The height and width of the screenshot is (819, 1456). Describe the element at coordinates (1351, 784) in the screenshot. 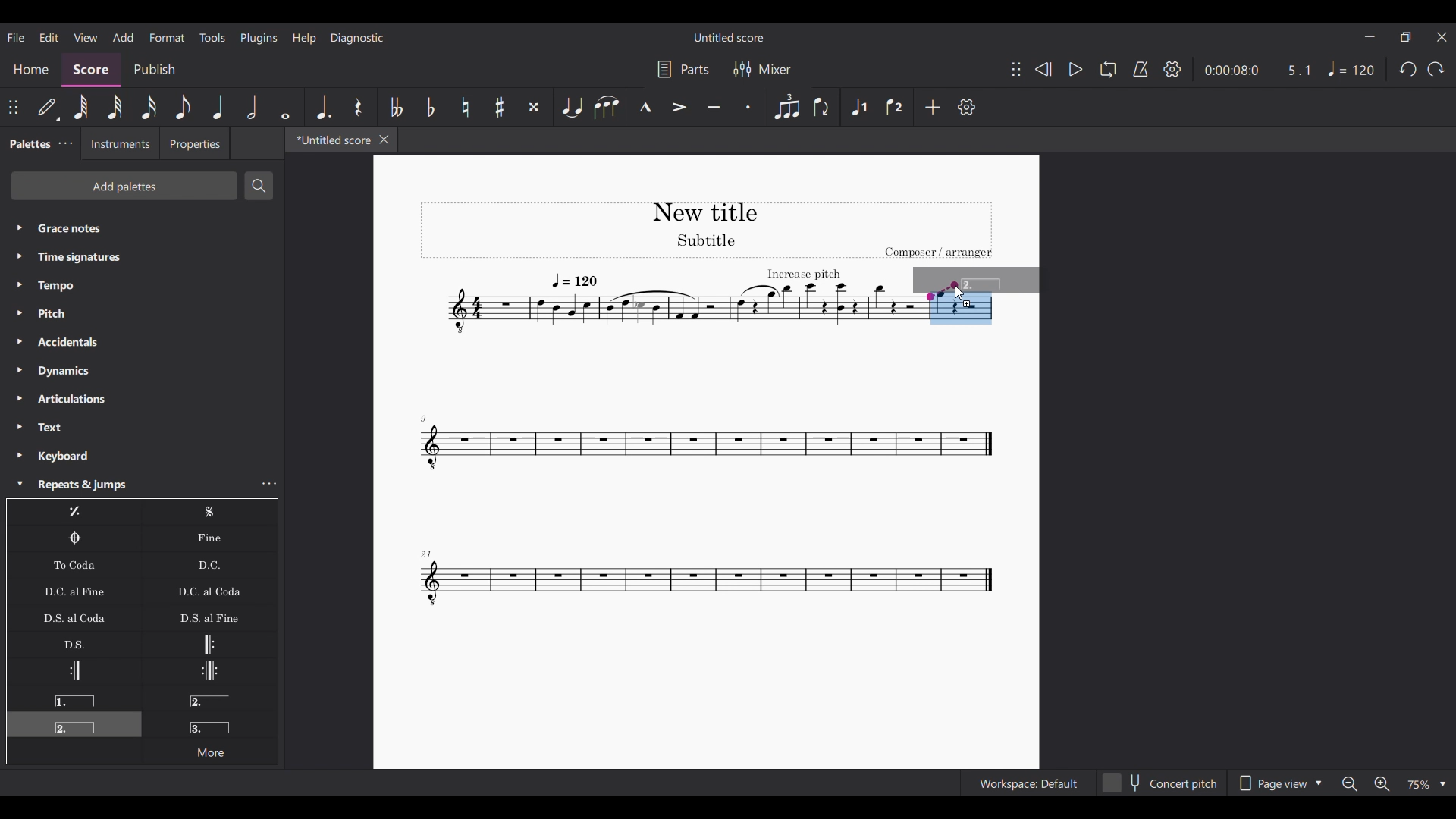

I see `Zoom out` at that location.